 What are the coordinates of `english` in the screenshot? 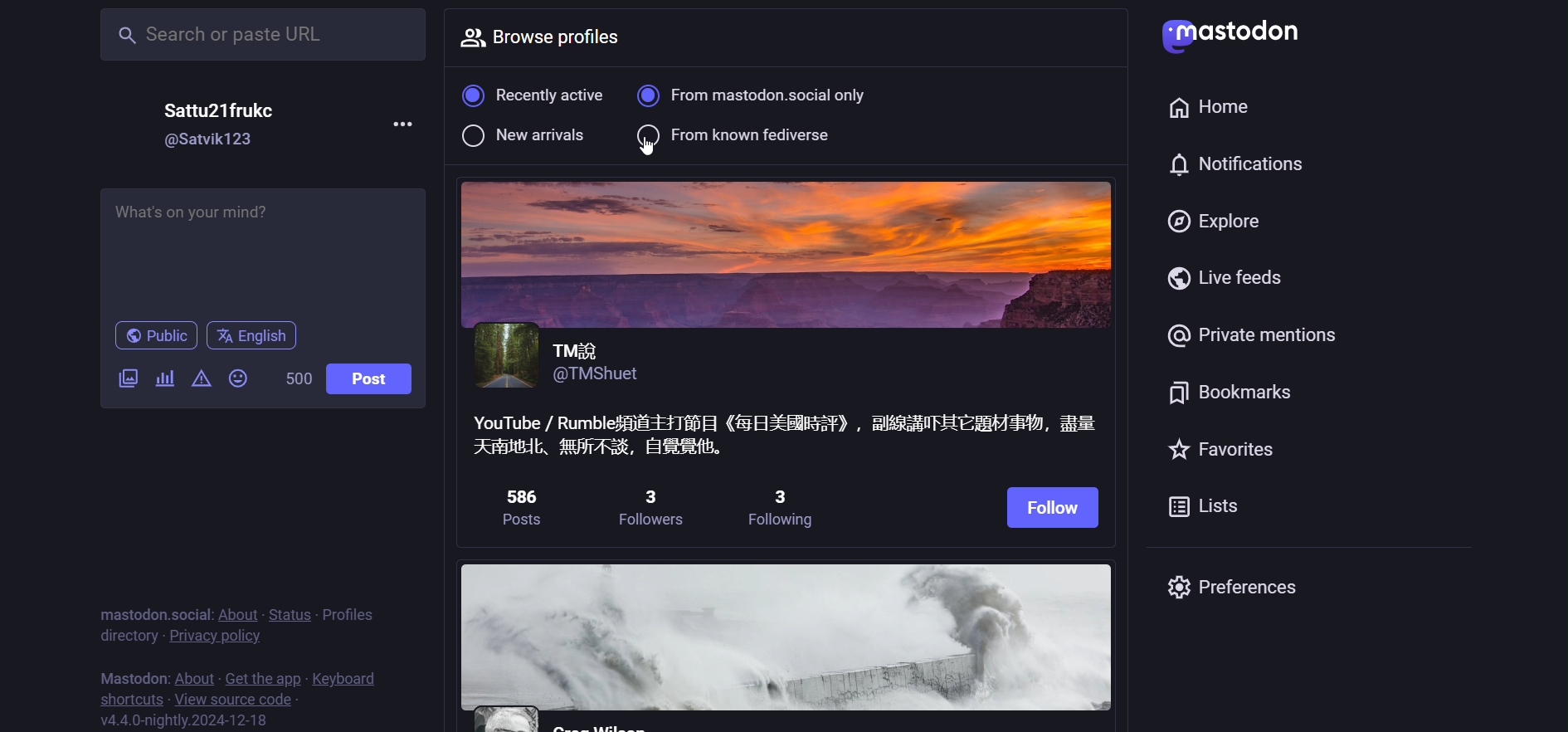 It's located at (259, 336).